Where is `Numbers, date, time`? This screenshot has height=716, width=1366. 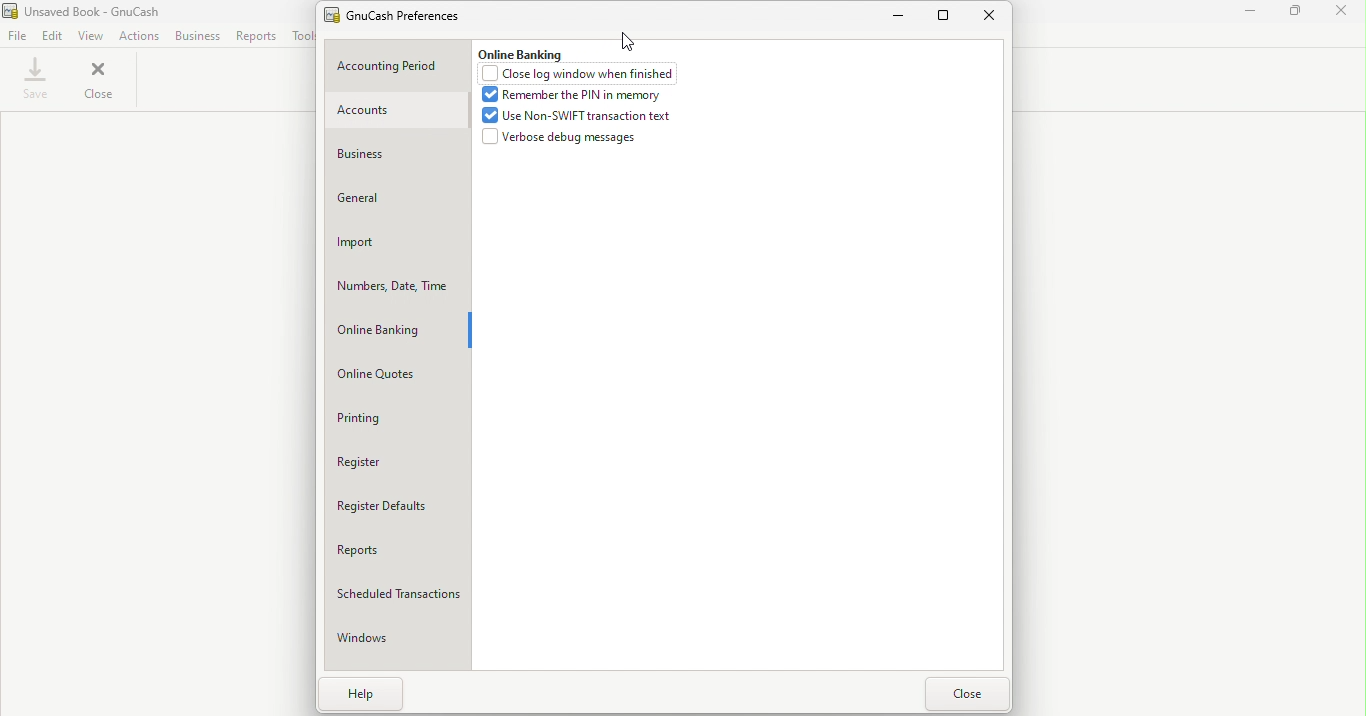 Numbers, date, time is located at coordinates (398, 286).